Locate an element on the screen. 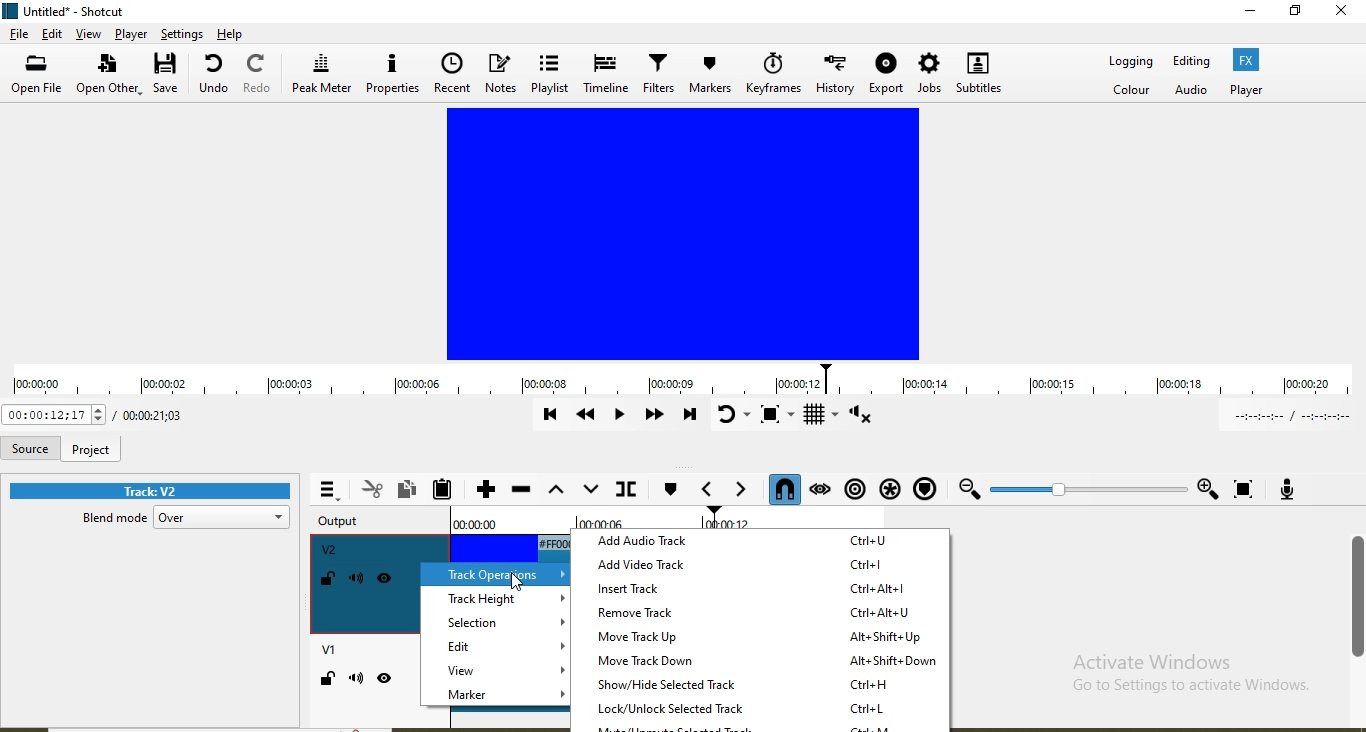  Color is located at coordinates (1130, 90).